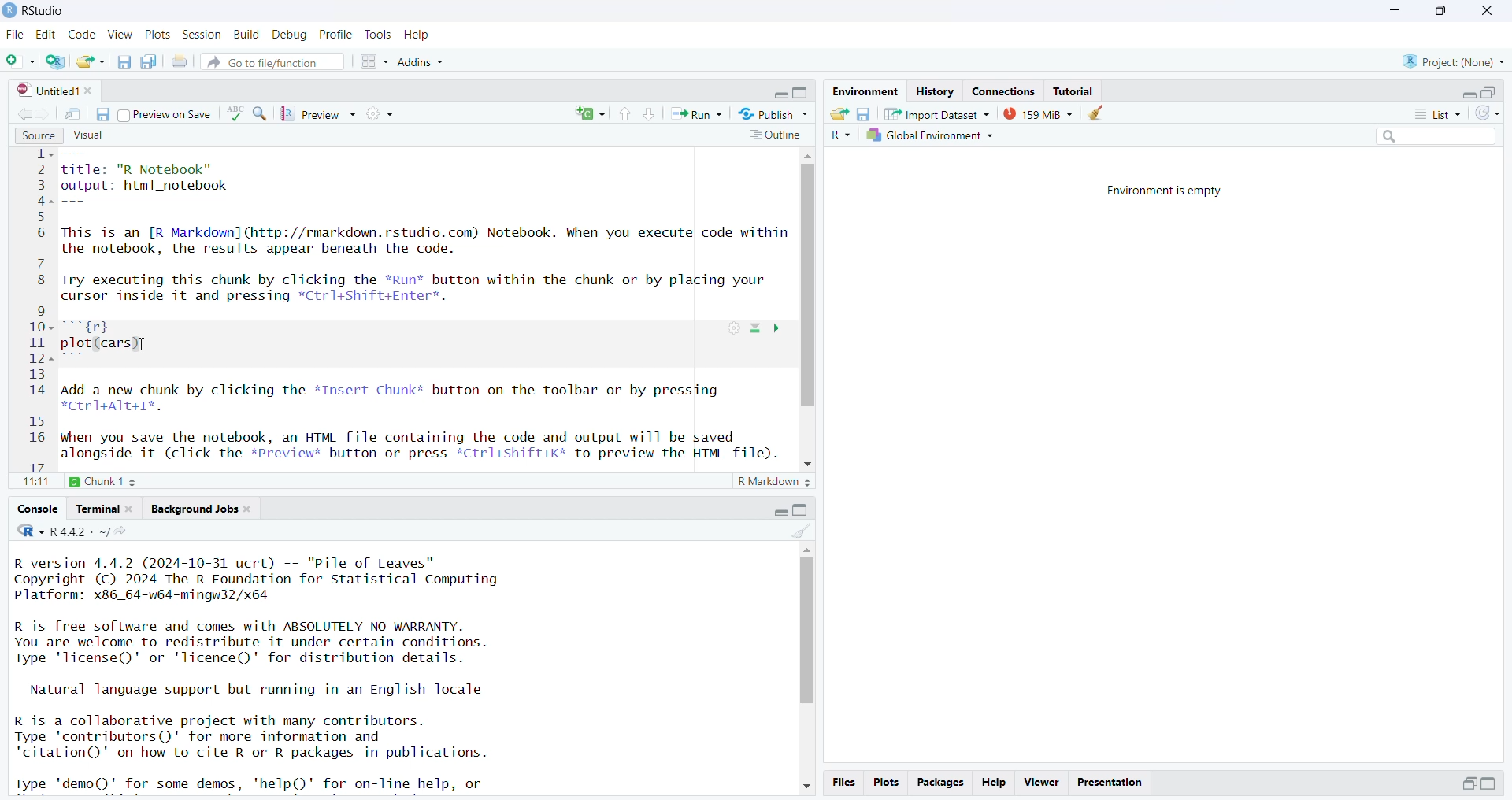 The width and height of the screenshot is (1512, 800). What do you see at coordinates (1487, 114) in the screenshot?
I see `refresh list` at bounding box center [1487, 114].